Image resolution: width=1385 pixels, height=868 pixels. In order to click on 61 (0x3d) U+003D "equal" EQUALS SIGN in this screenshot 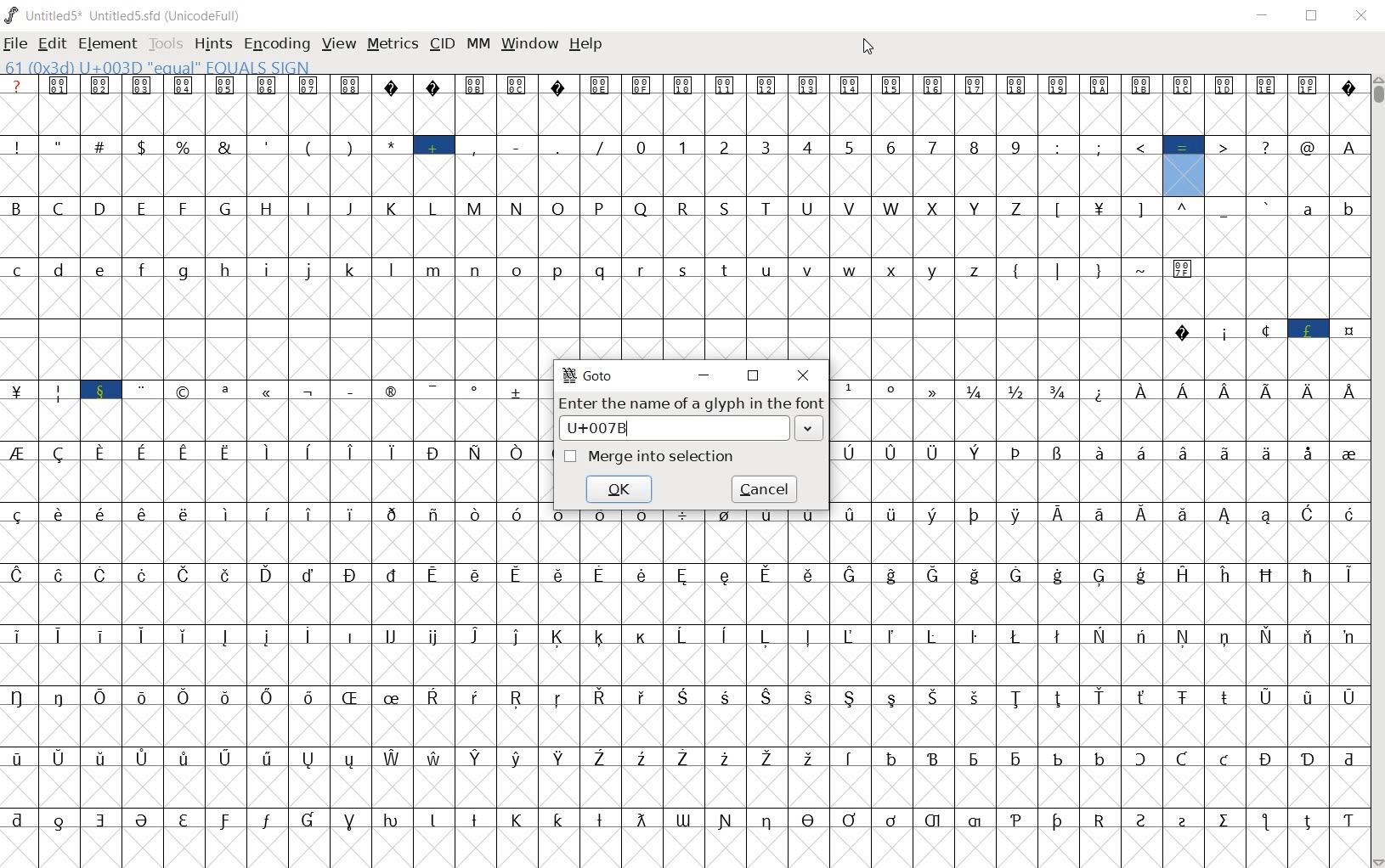, I will do `click(159, 68)`.